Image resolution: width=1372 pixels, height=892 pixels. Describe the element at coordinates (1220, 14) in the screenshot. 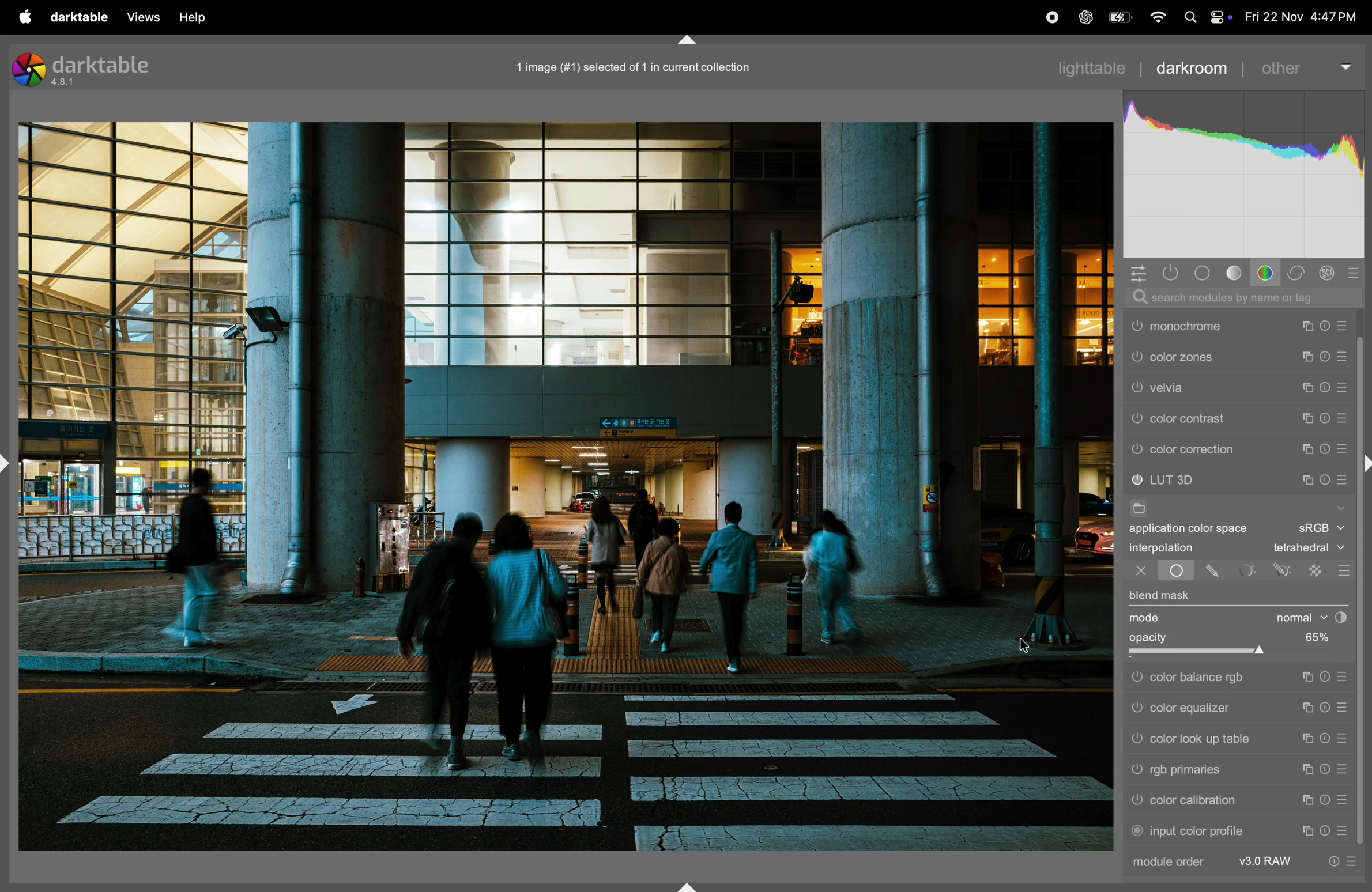

I see `apple widgets` at that location.